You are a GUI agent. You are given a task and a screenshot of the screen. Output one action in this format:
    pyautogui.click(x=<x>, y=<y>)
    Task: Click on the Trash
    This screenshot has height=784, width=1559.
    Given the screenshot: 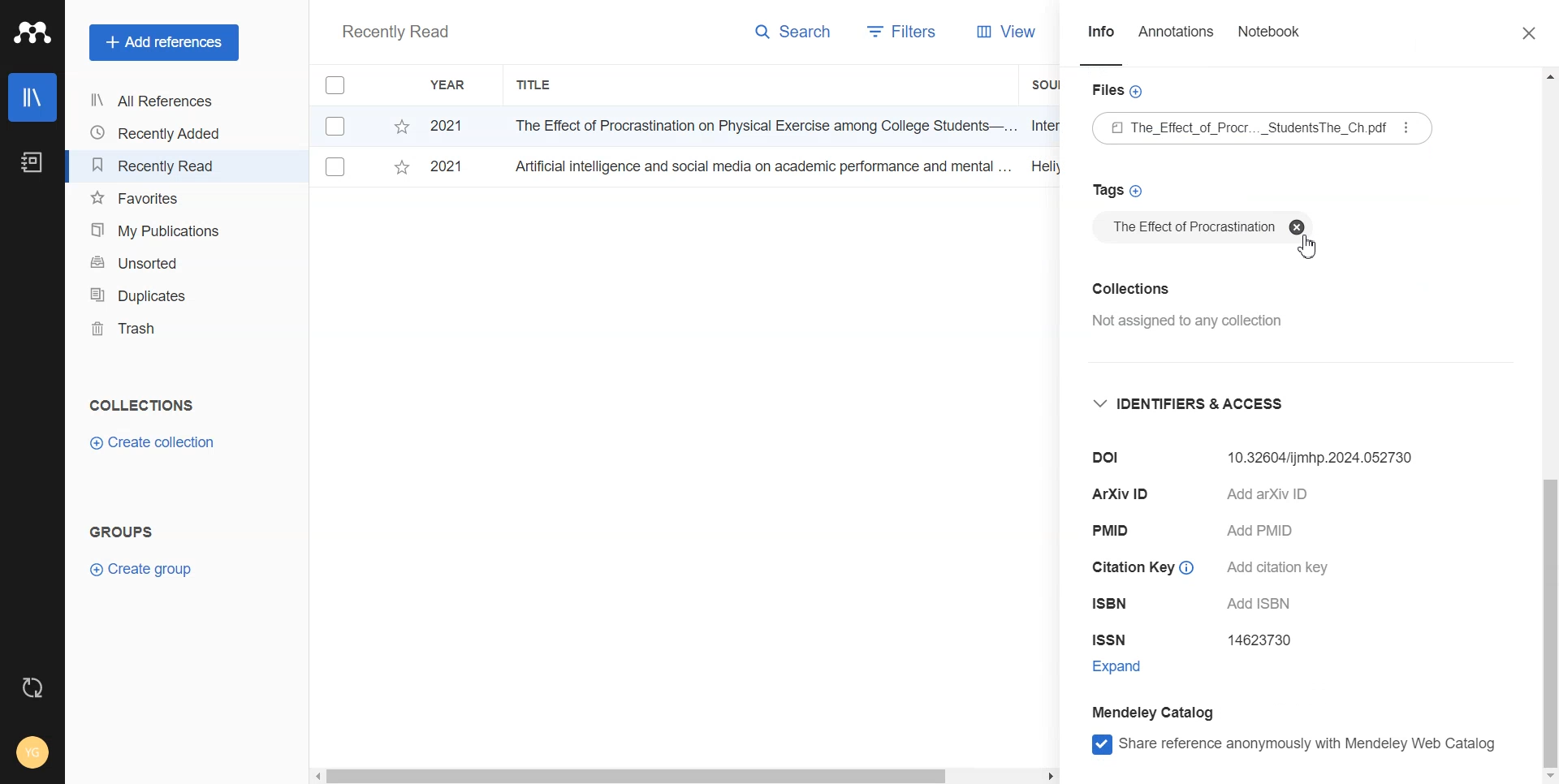 What is the action you would take?
    pyautogui.click(x=159, y=329)
    